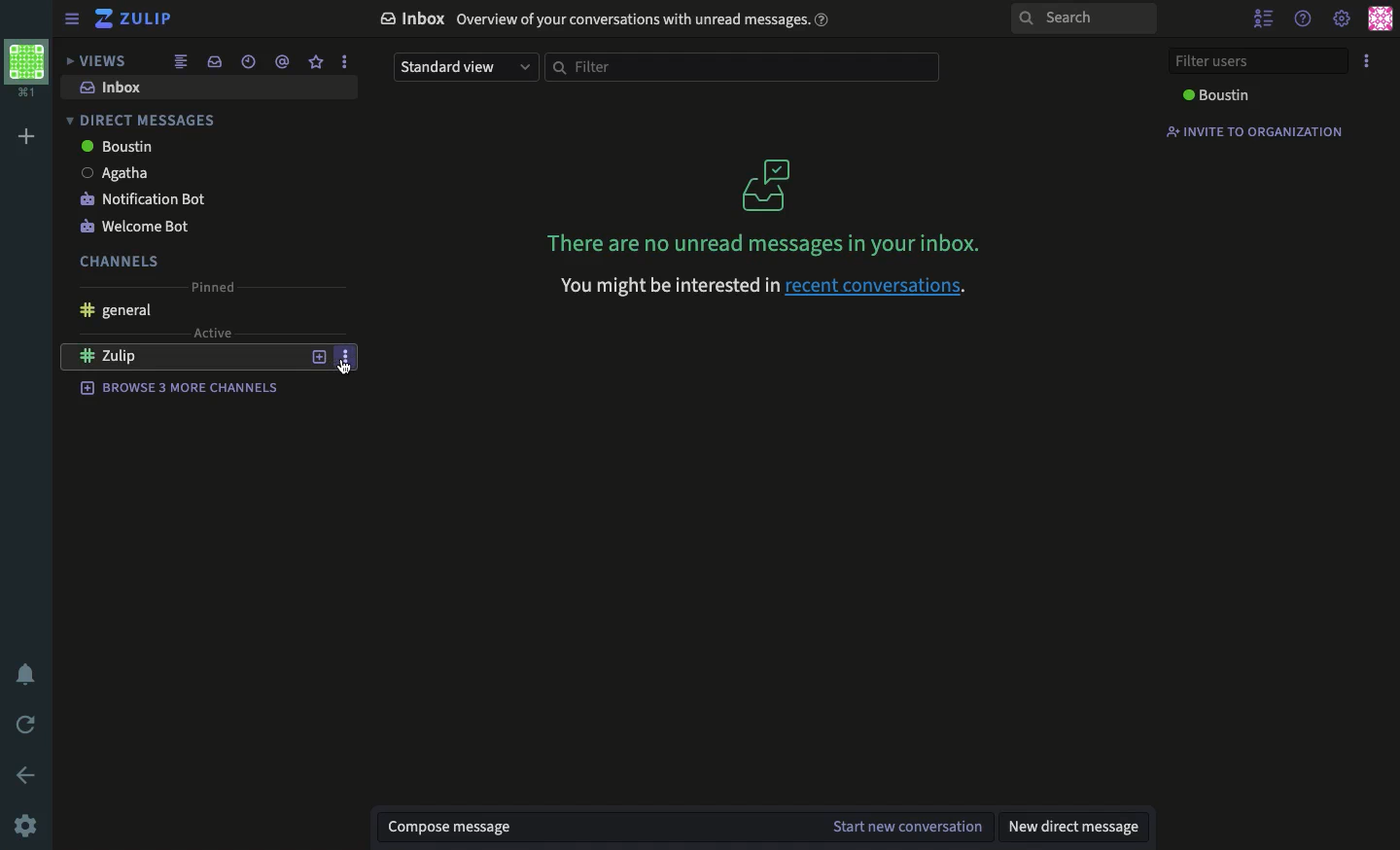 The width and height of the screenshot is (1400, 850). Describe the element at coordinates (317, 357) in the screenshot. I see `add channel` at that location.